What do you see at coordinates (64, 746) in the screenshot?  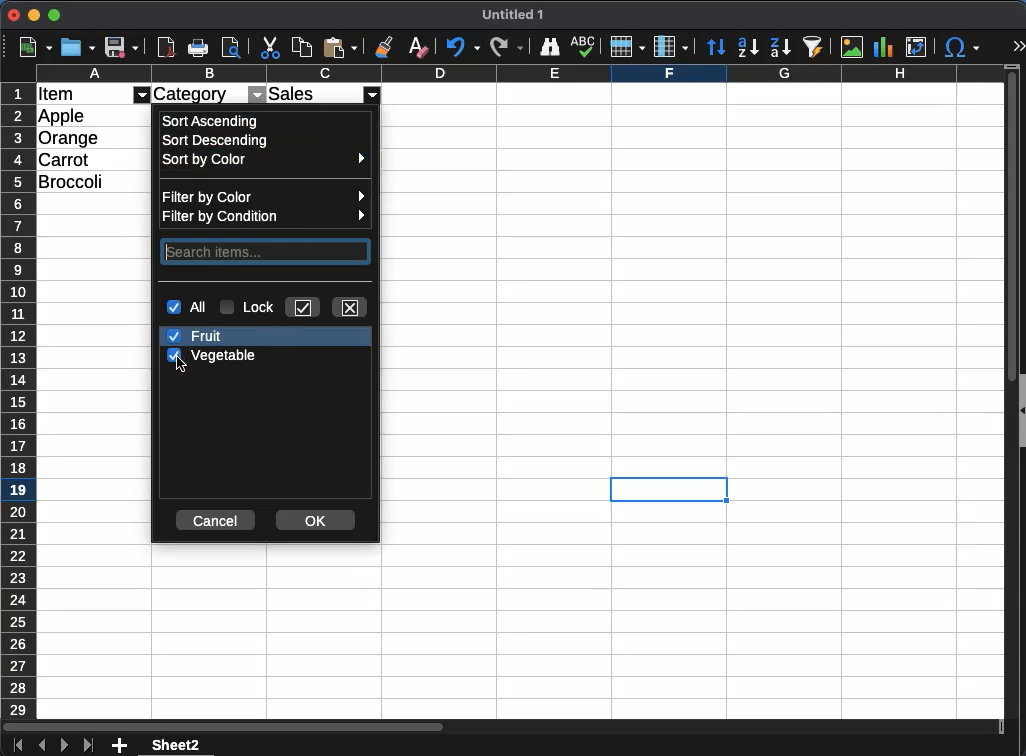 I see `next sheet` at bounding box center [64, 746].